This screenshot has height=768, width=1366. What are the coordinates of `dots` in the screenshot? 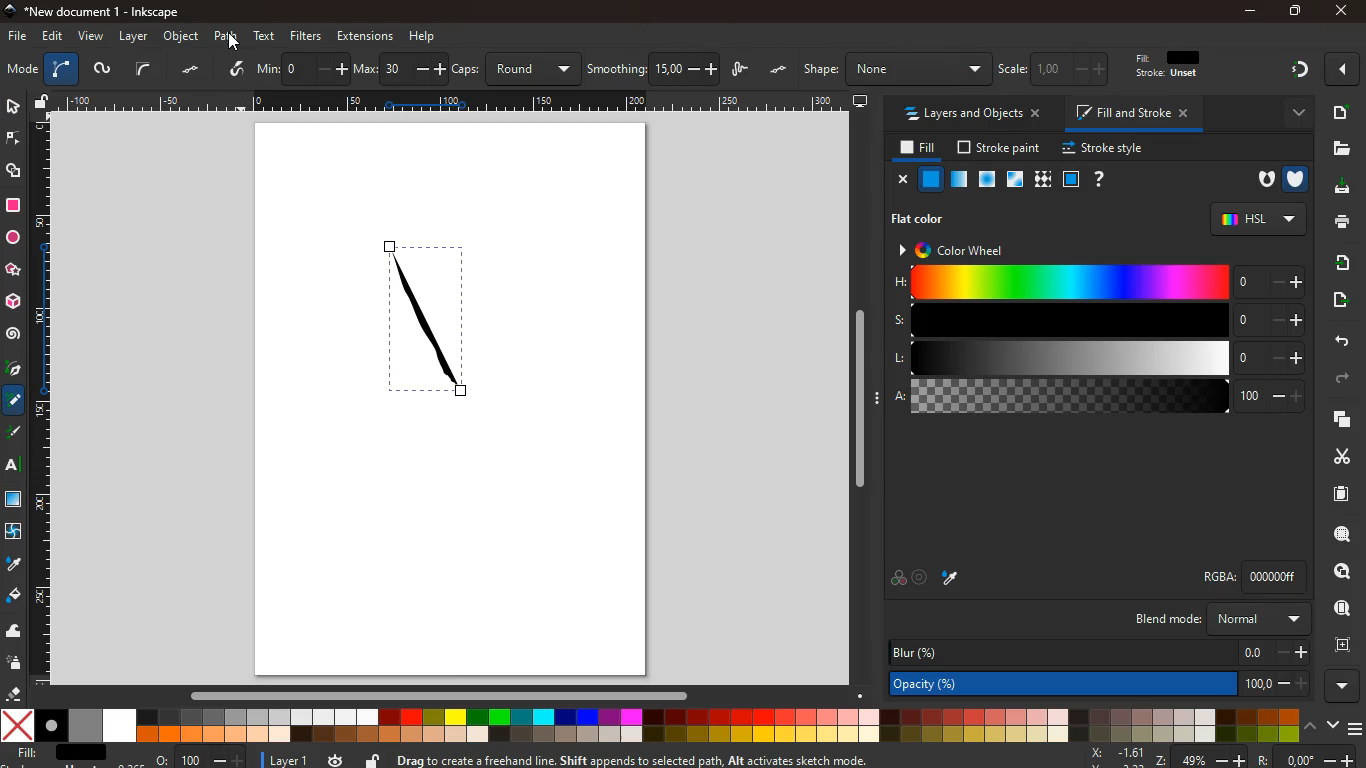 It's located at (780, 70).